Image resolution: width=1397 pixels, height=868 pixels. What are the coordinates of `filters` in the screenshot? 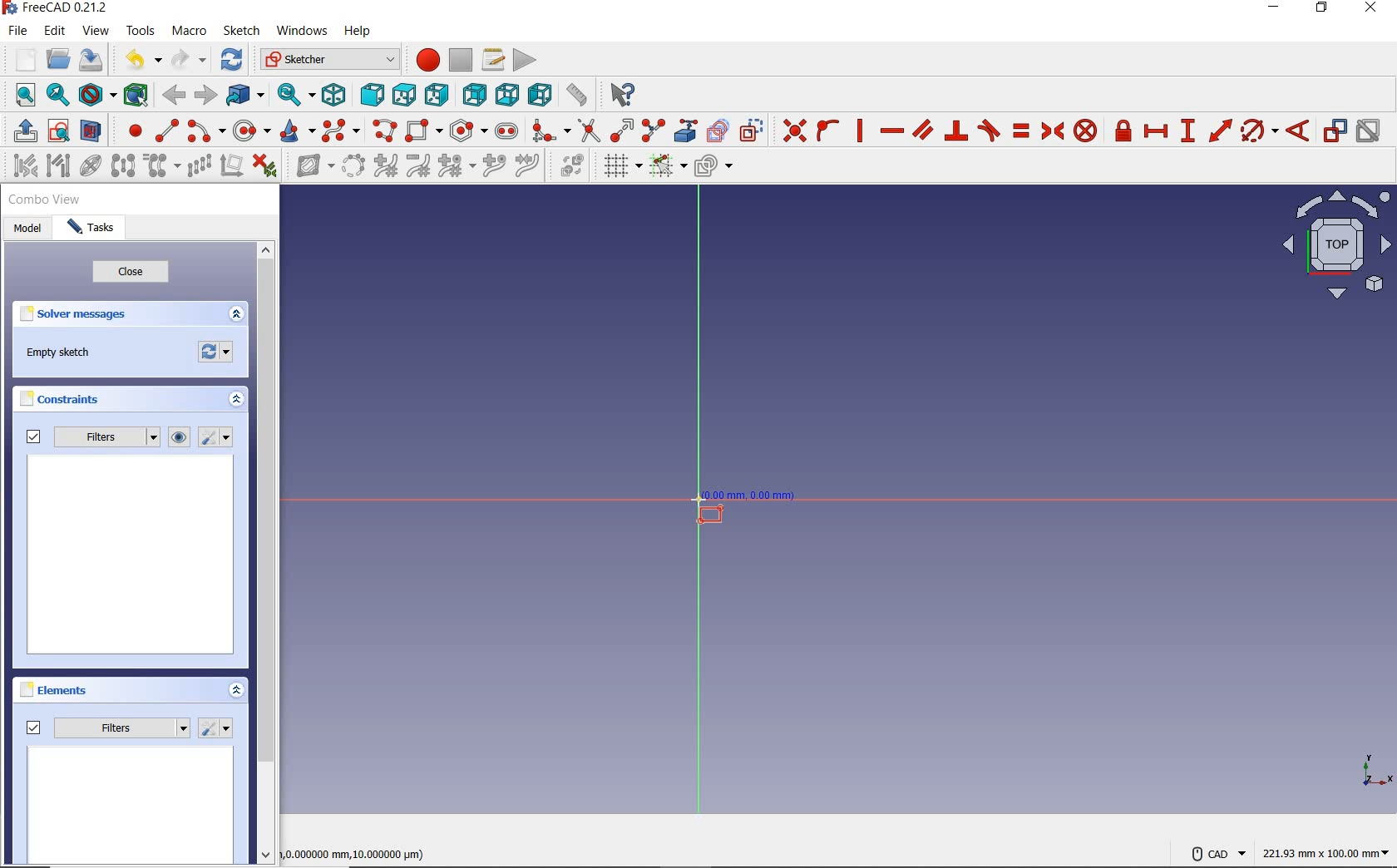 It's located at (108, 725).